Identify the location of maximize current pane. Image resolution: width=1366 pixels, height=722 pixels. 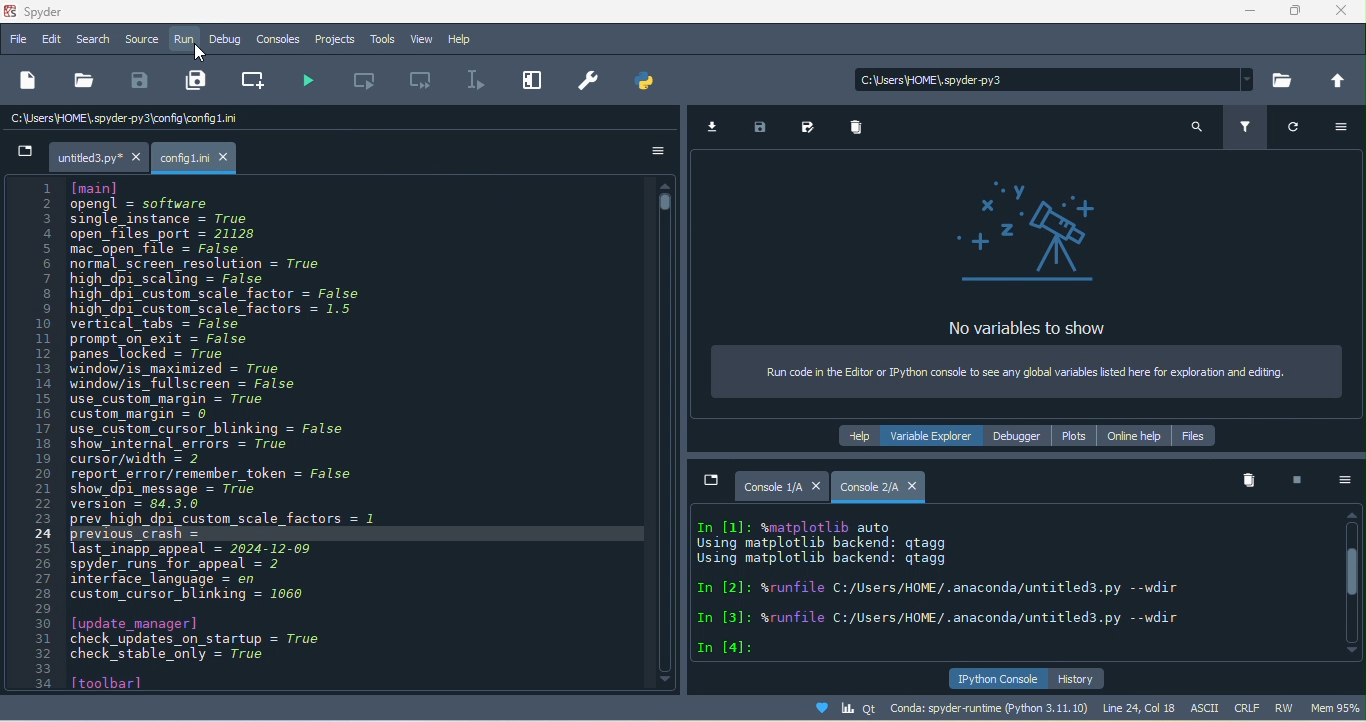
(530, 81).